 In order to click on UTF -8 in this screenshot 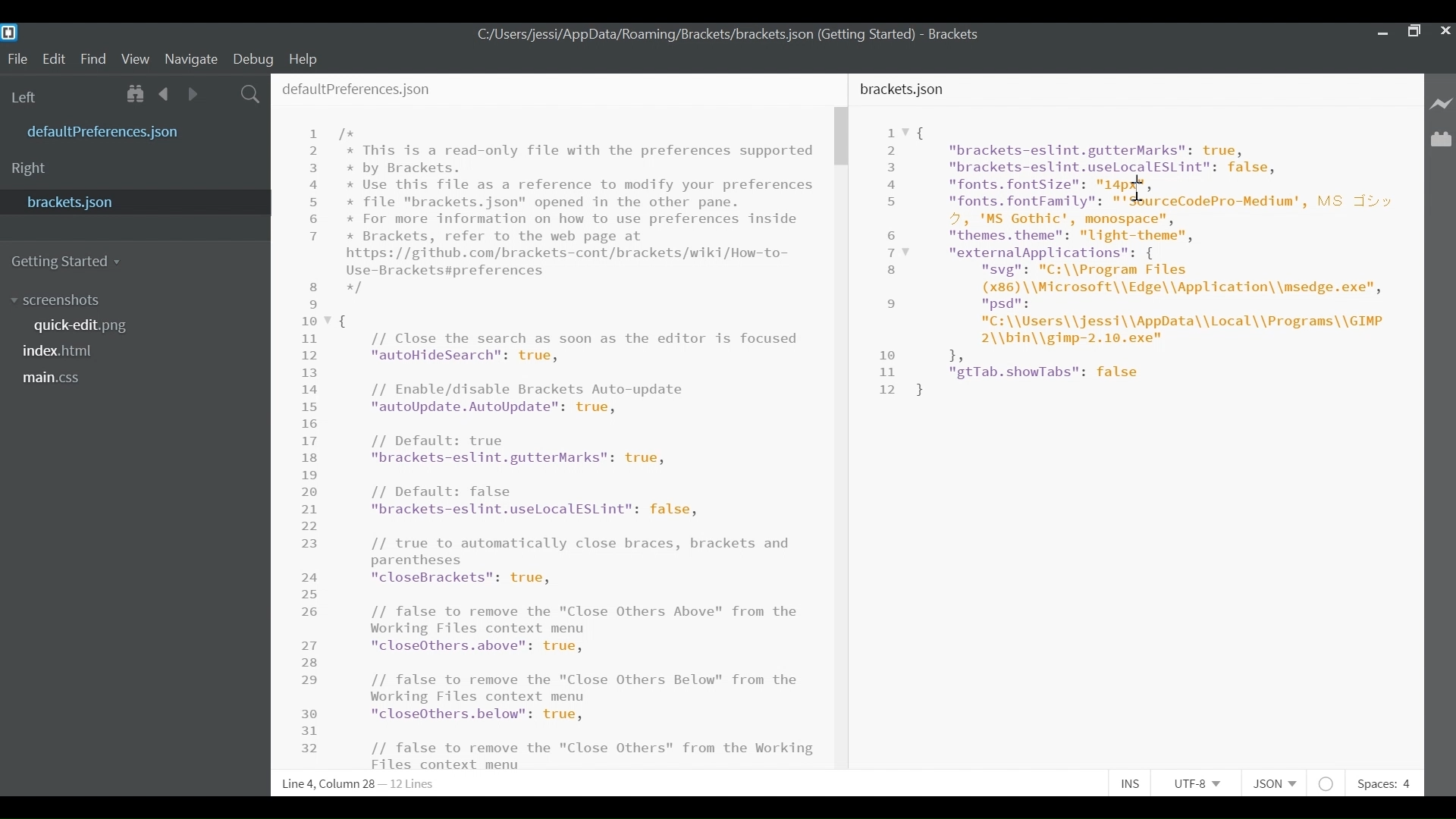, I will do `click(1203, 783)`.